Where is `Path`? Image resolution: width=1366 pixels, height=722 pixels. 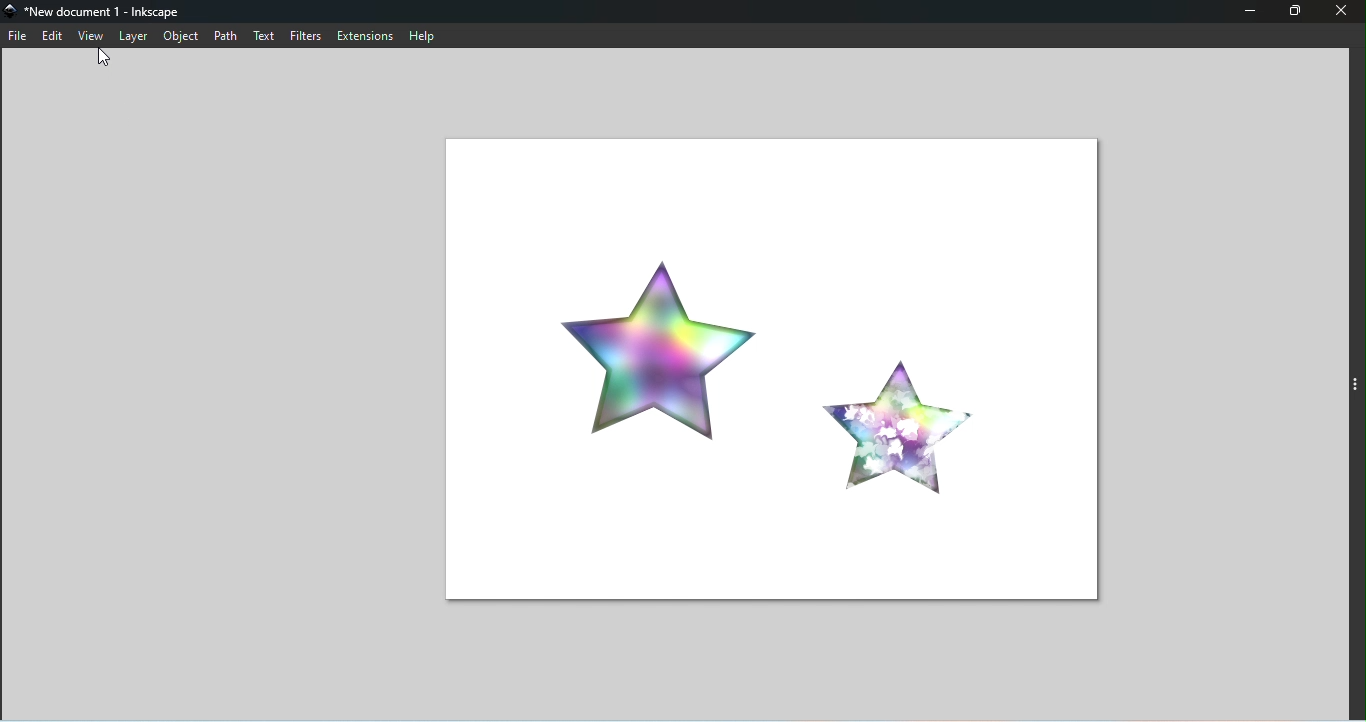
Path is located at coordinates (226, 35).